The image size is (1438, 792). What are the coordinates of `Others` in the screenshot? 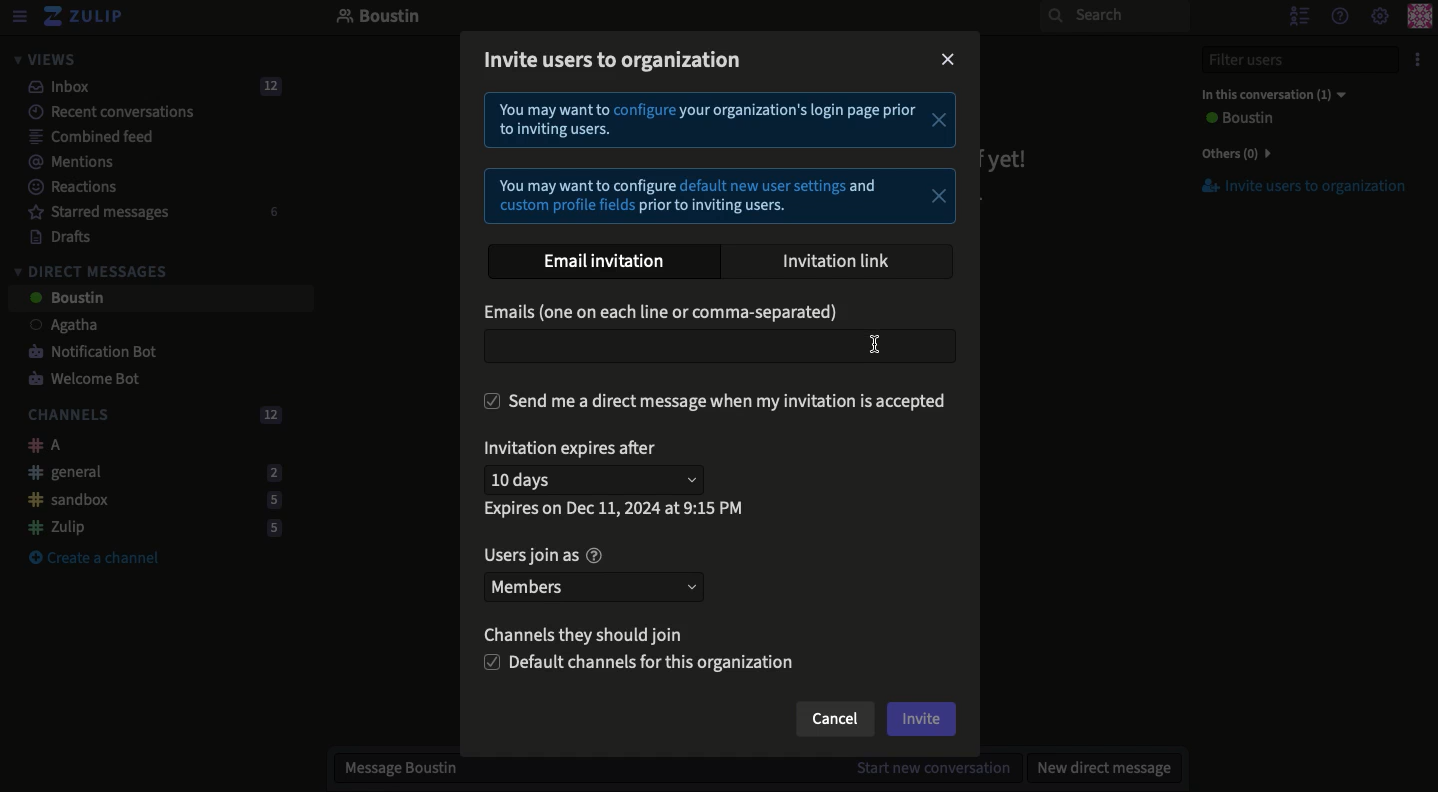 It's located at (1232, 153).